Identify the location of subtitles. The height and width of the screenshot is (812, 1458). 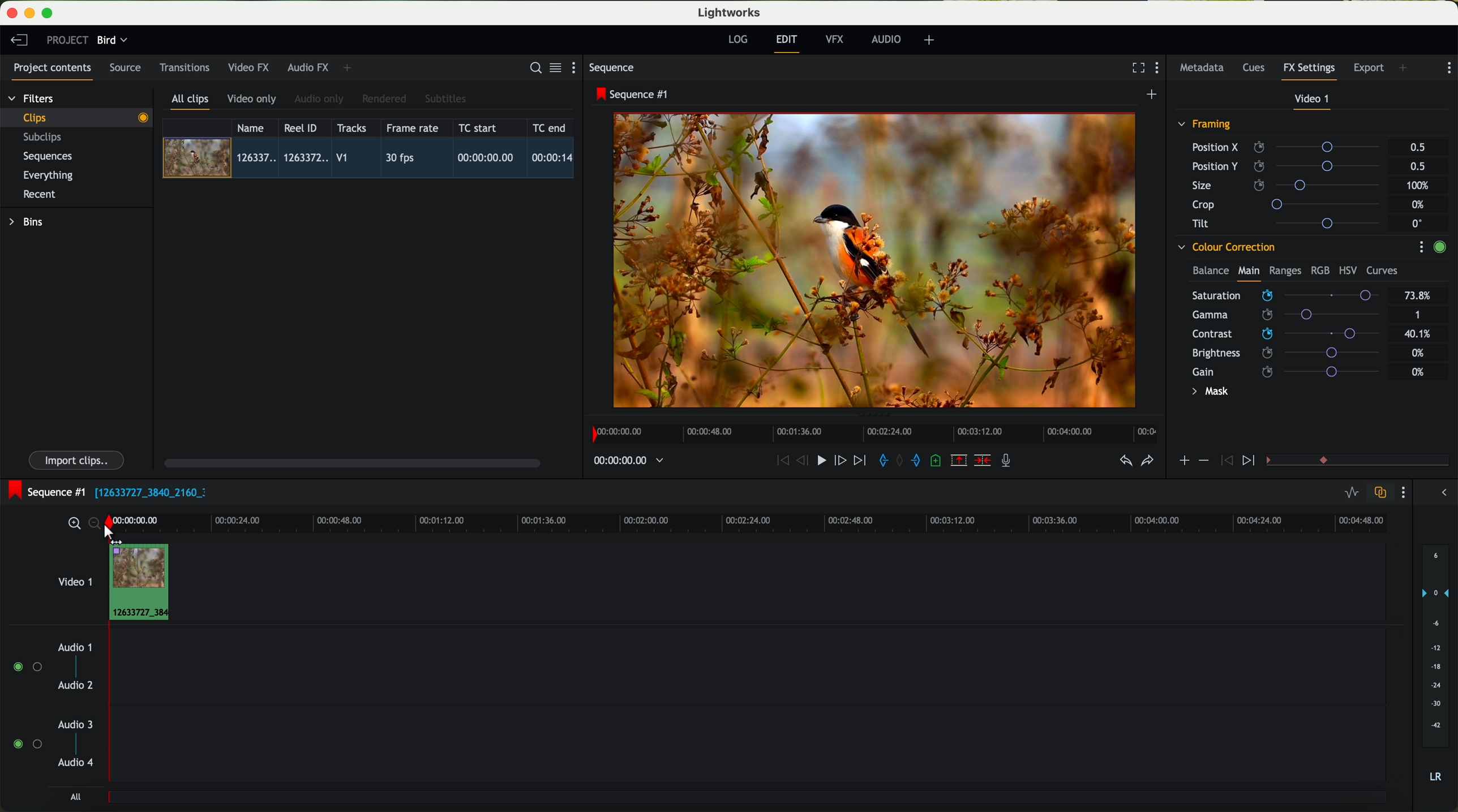
(444, 99).